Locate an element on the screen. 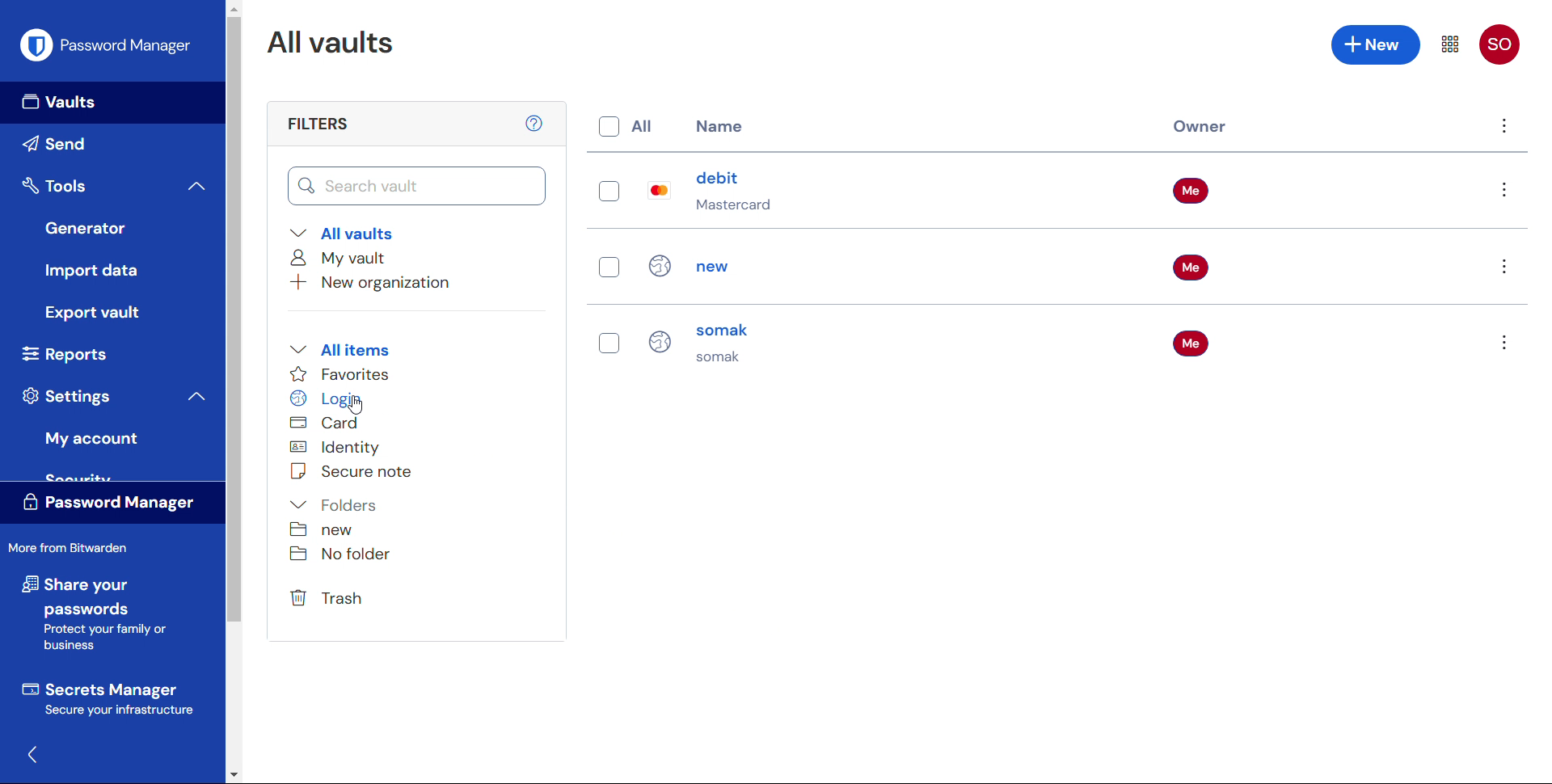 This screenshot has width=1552, height=784. Owner  is located at coordinates (1200, 128).